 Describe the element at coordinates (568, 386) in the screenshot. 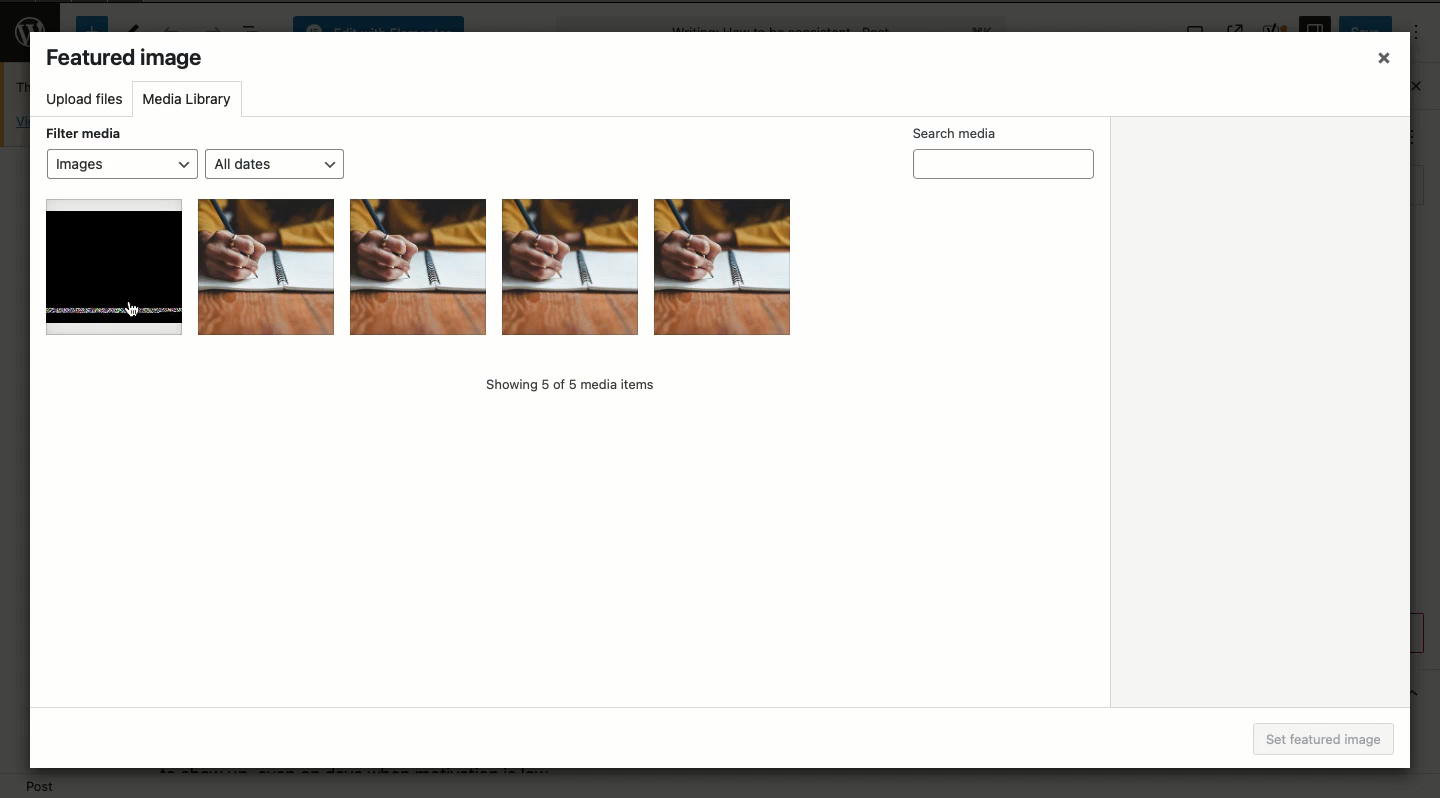

I see `Showing 5 of 5 media items` at that location.